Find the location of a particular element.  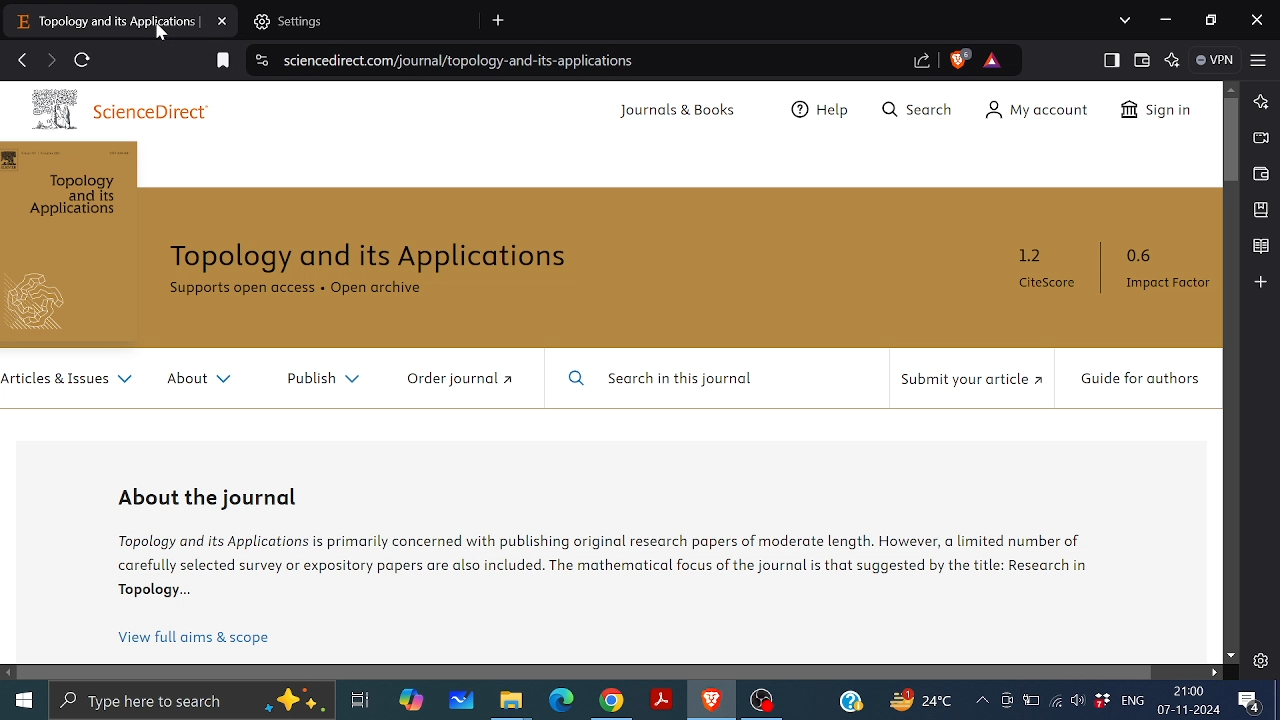

About the journal is located at coordinates (208, 500).